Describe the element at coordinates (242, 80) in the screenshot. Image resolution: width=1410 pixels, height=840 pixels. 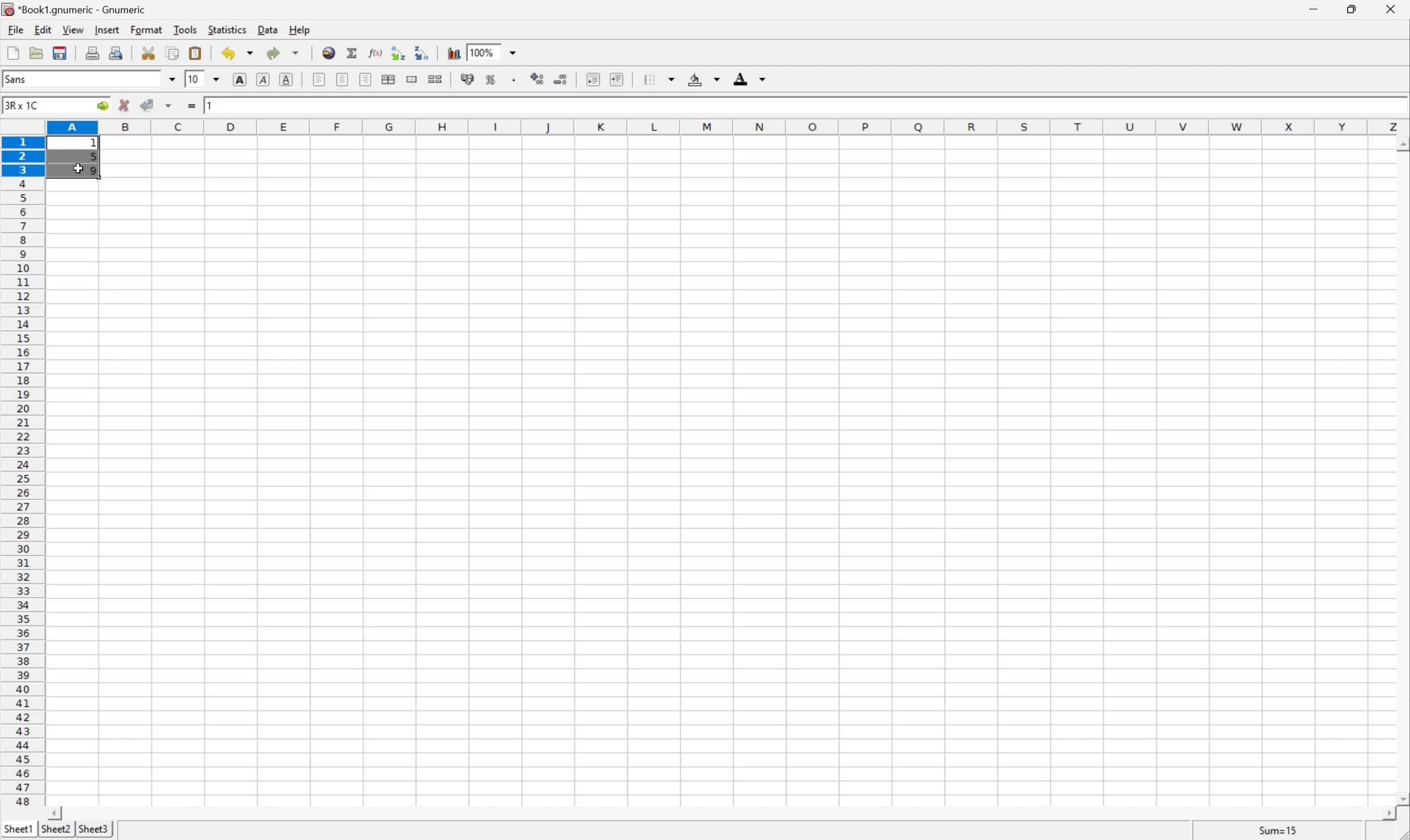
I see `bold` at that location.